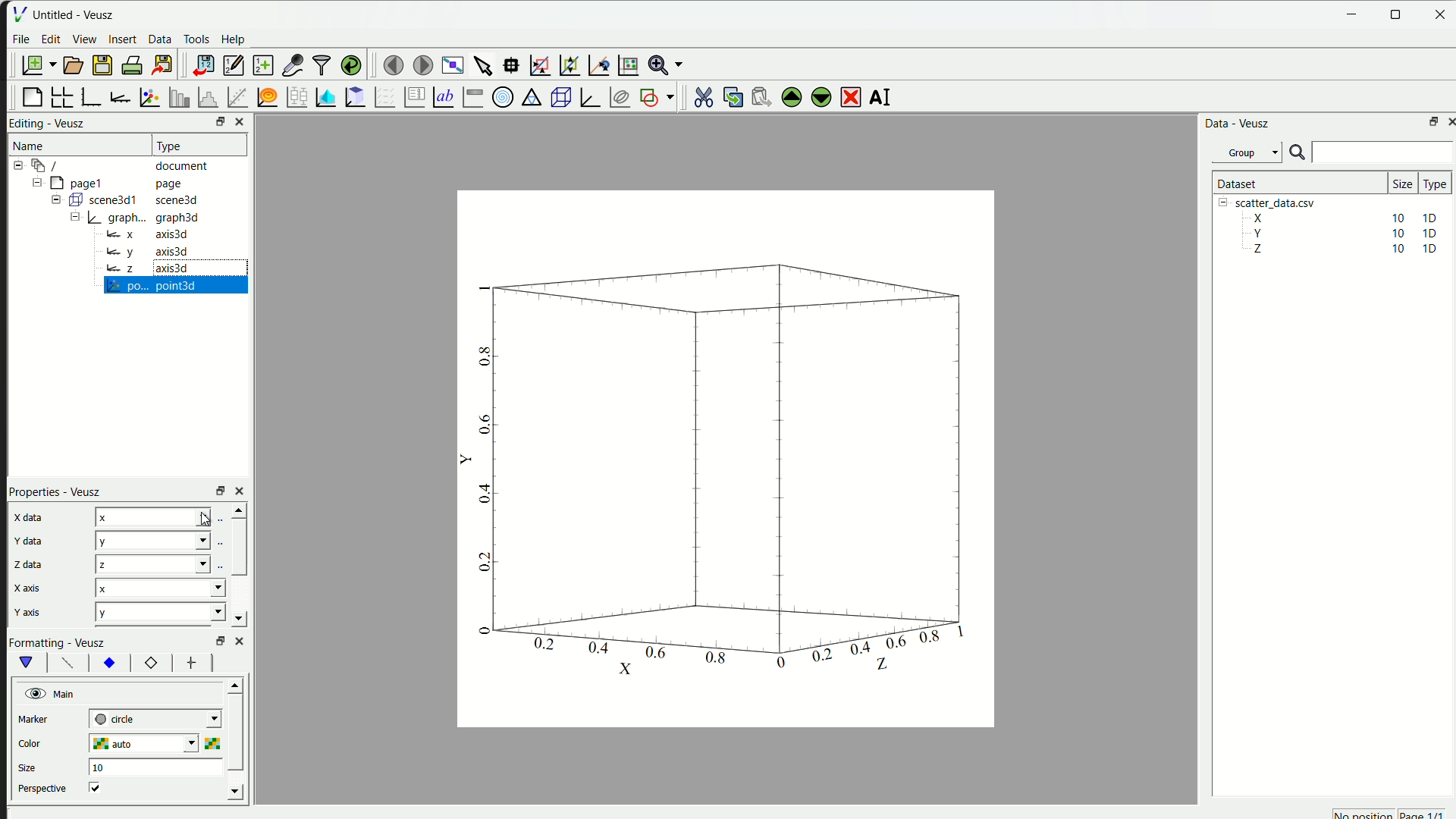  What do you see at coordinates (162, 720) in the screenshot?
I see `| next-tick` at bounding box center [162, 720].